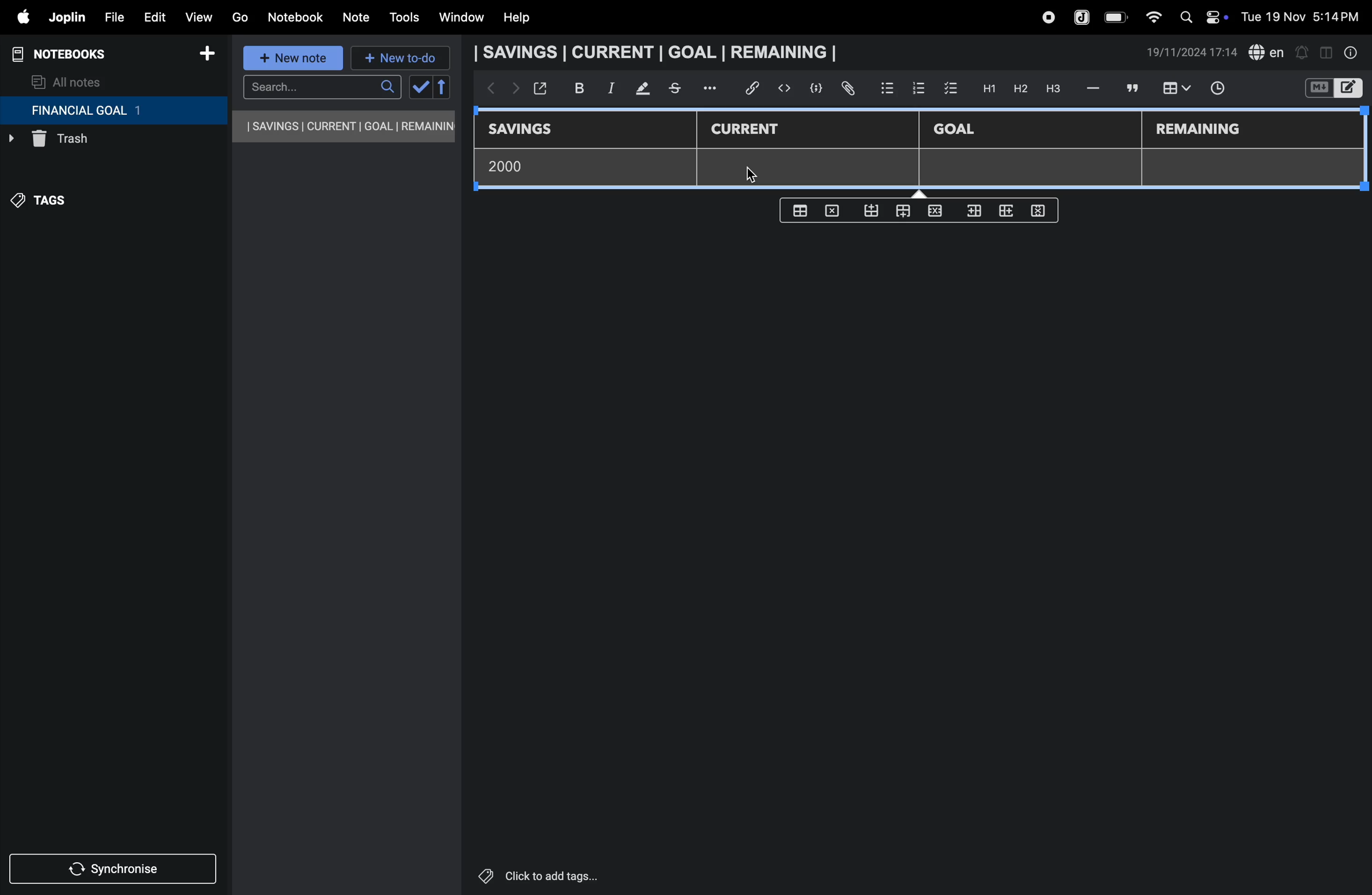  What do you see at coordinates (1150, 17) in the screenshot?
I see `wifi` at bounding box center [1150, 17].